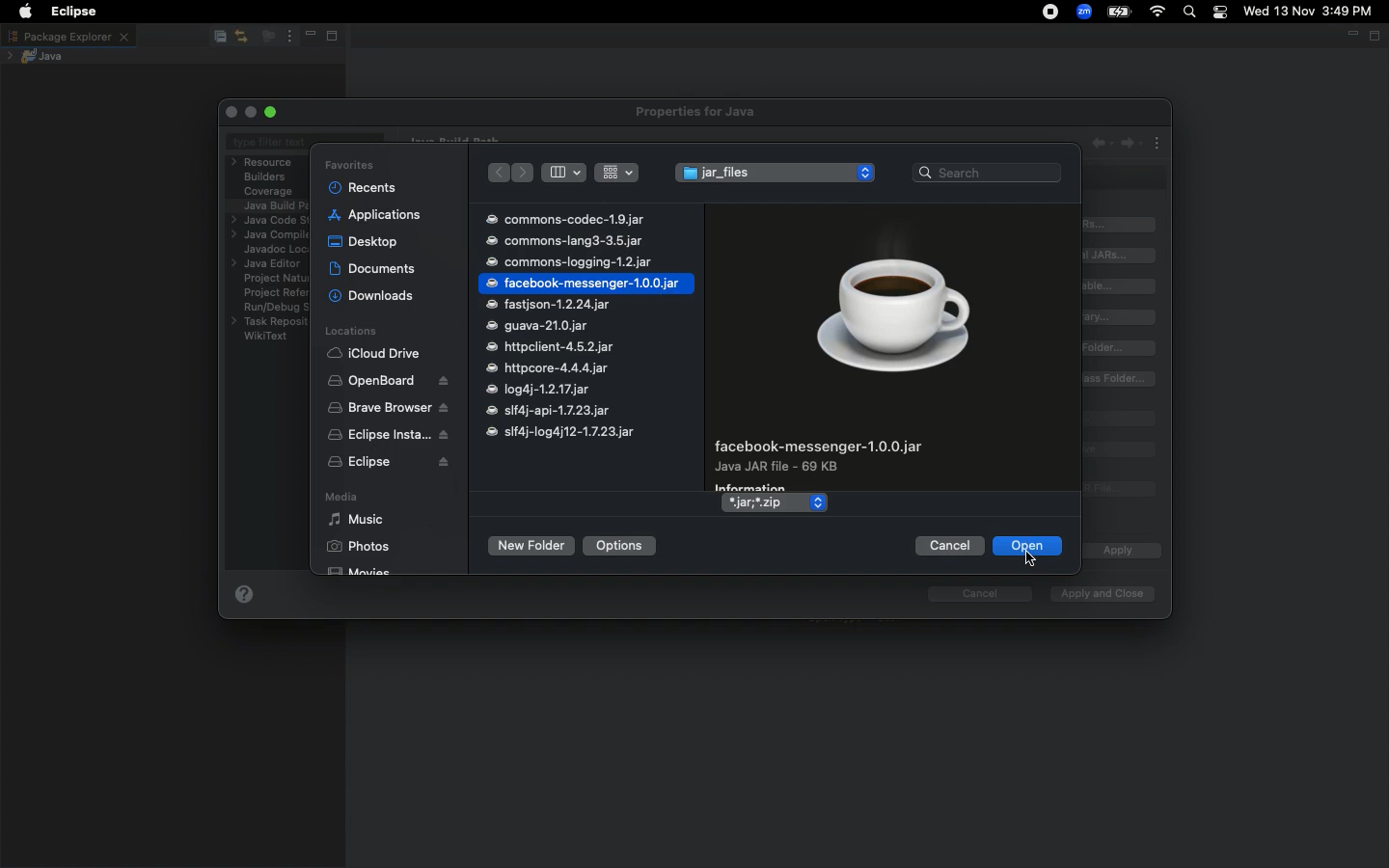 The width and height of the screenshot is (1389, 868). What do you see at coordinates (970, 594) in the screenshot?
I see `cancel` at bounding box center [970, 594].